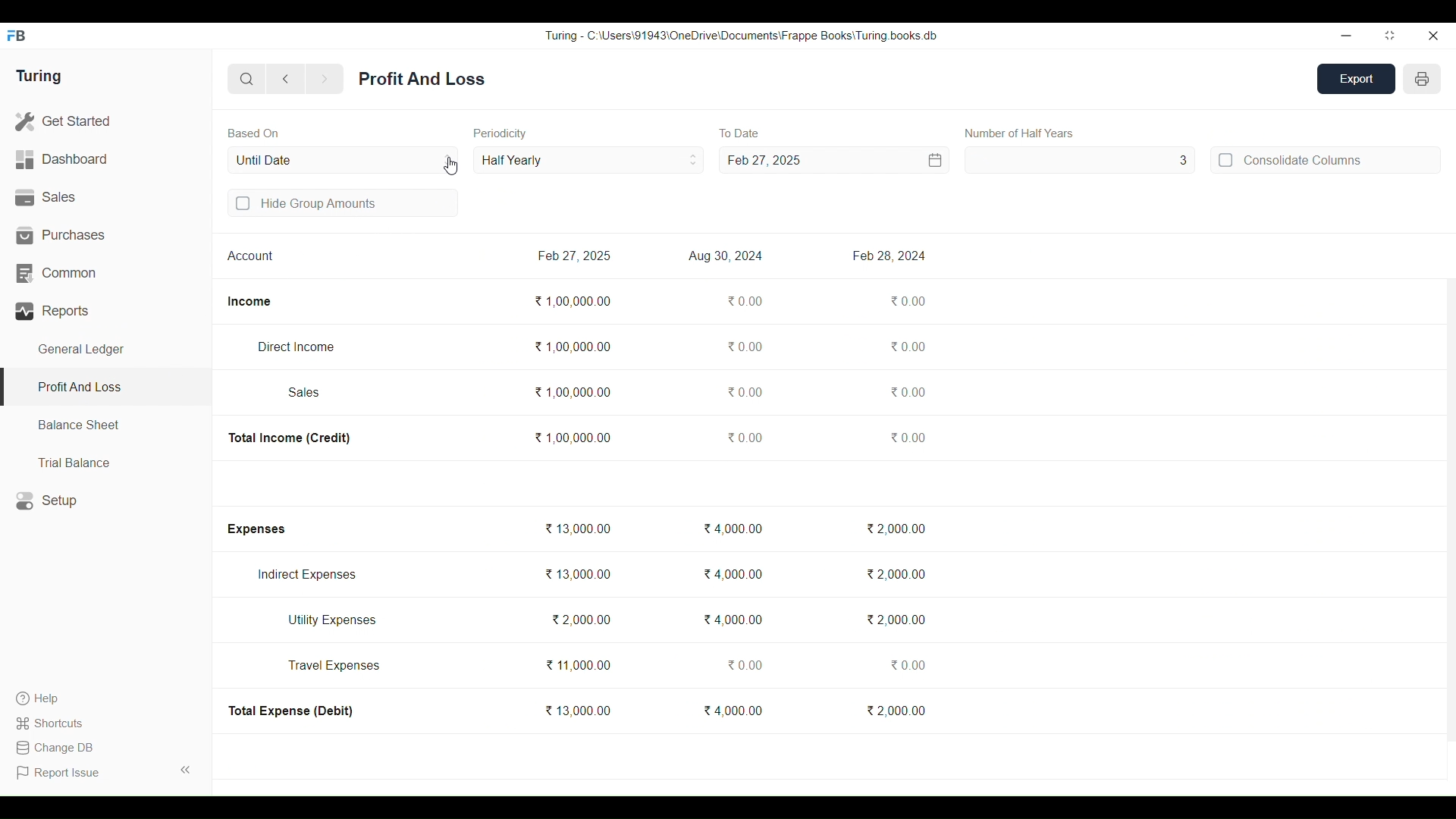  Describe the element at coordinates (106, 235) in the screenshot. I see `Purchases` at that location.